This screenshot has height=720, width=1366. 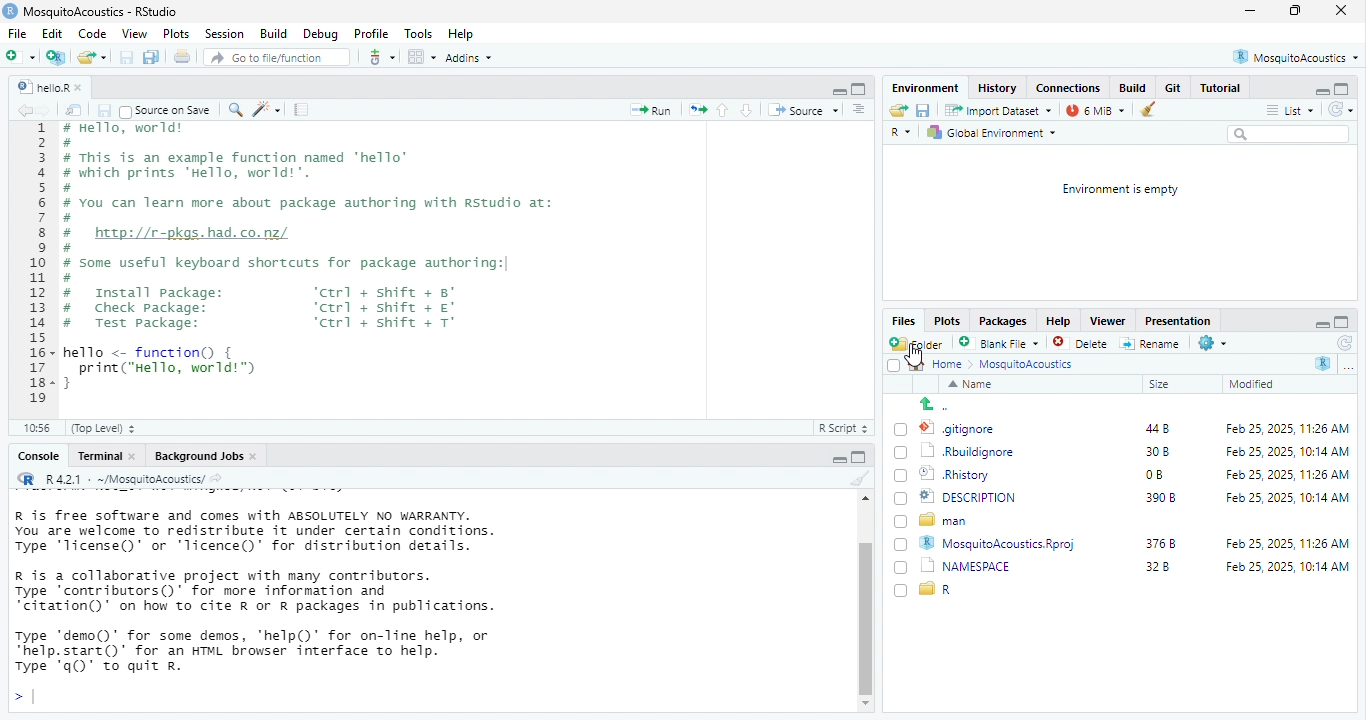 I want to click on hide r script, so click(x=1320, y=322).